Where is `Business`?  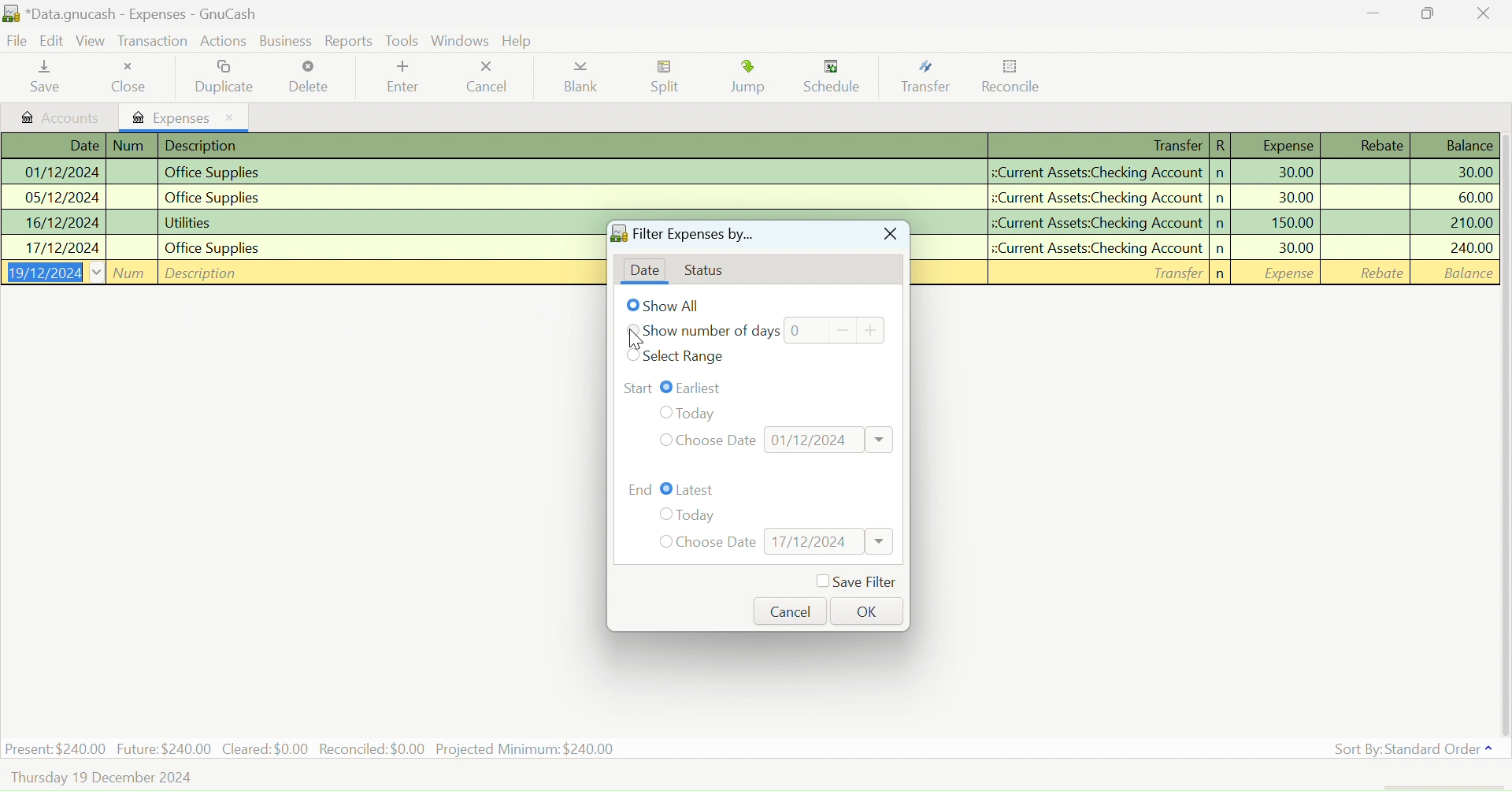
Business is located at coordinates (288, 41).